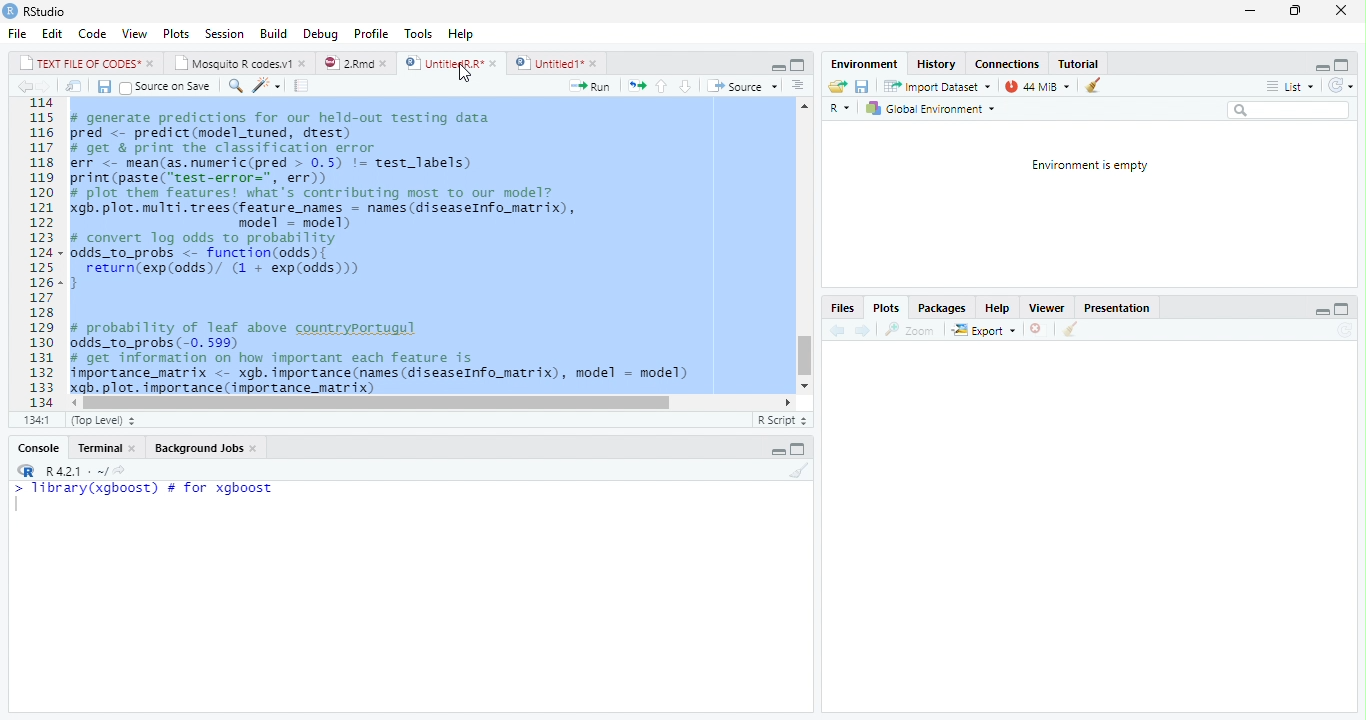  Describe the element at coordinates (942, 308) in the screenshot. I see `Packages` at that location.